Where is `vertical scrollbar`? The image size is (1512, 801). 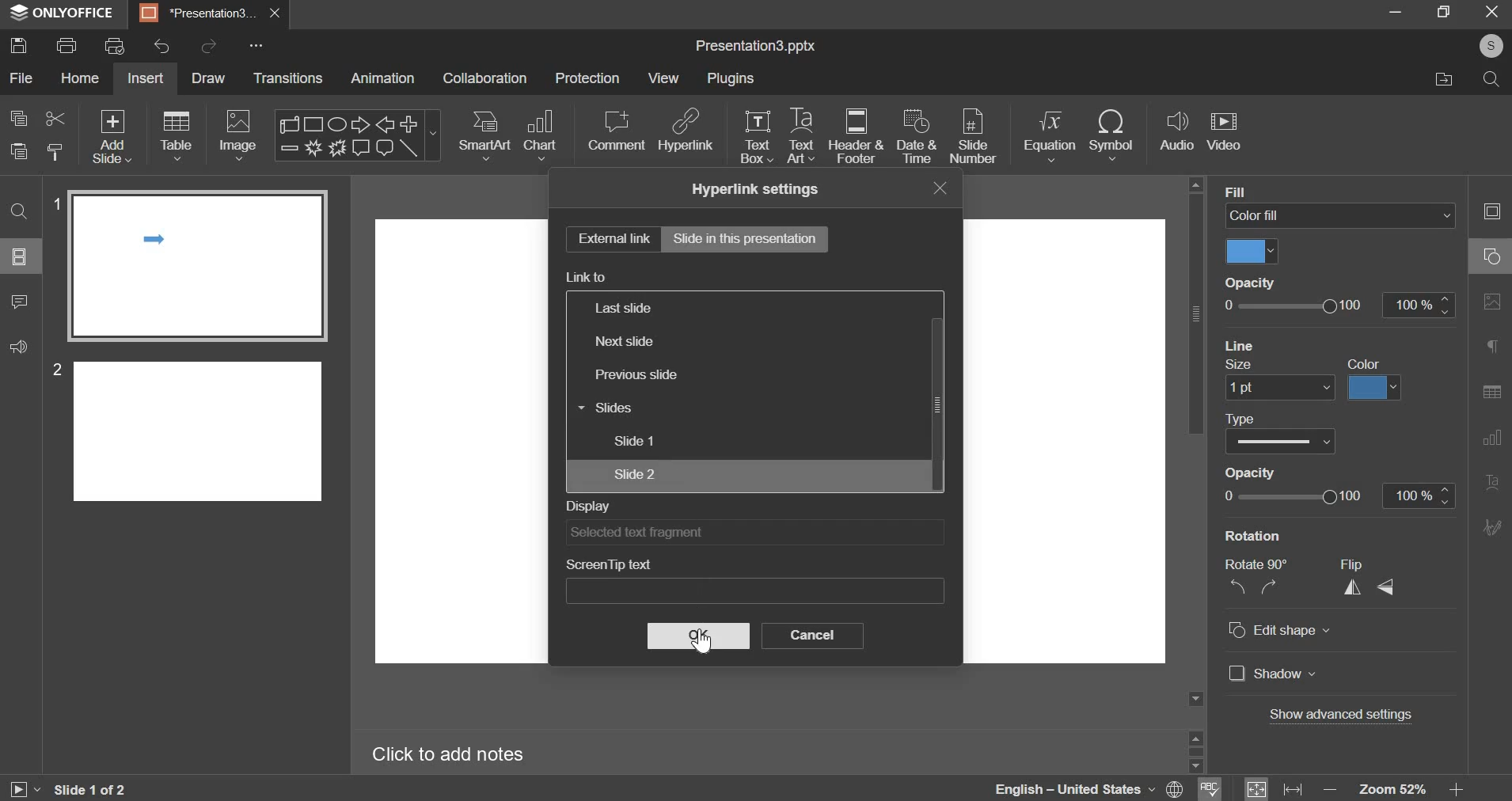 vertical scrollbar is located at coordinates (1195, 313).